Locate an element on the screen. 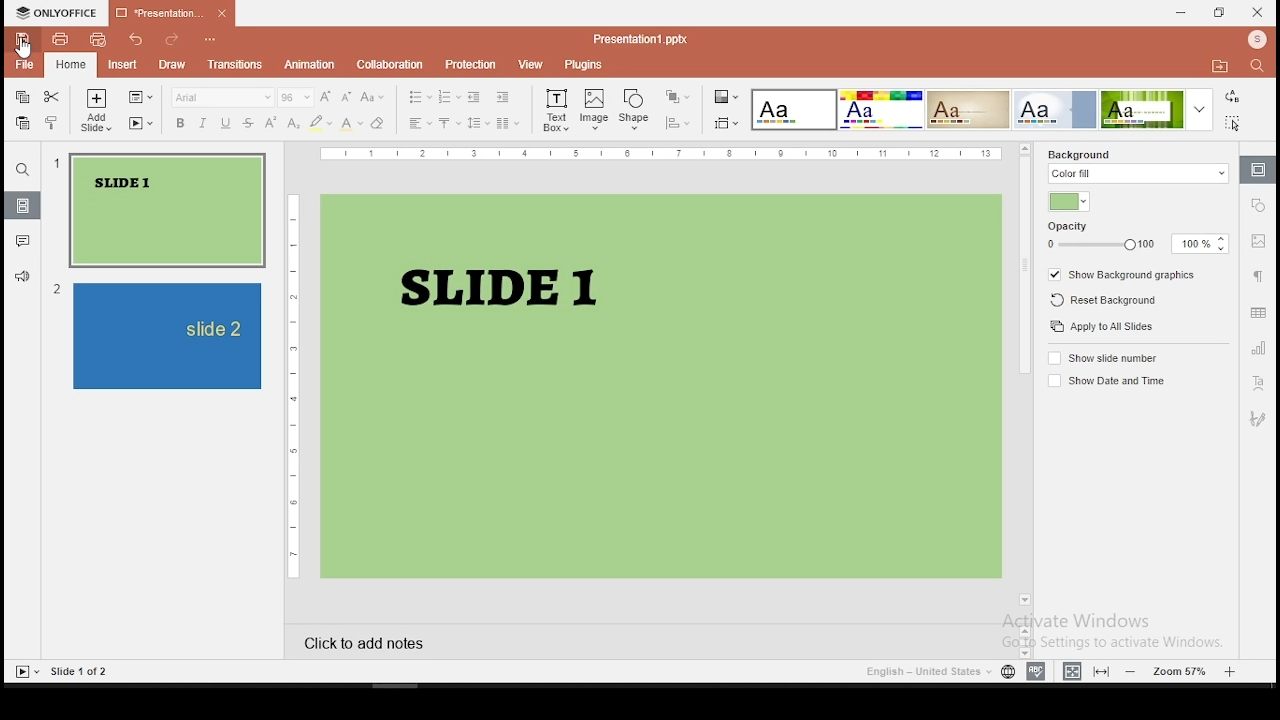  text box is located at coordinates (556, 111).